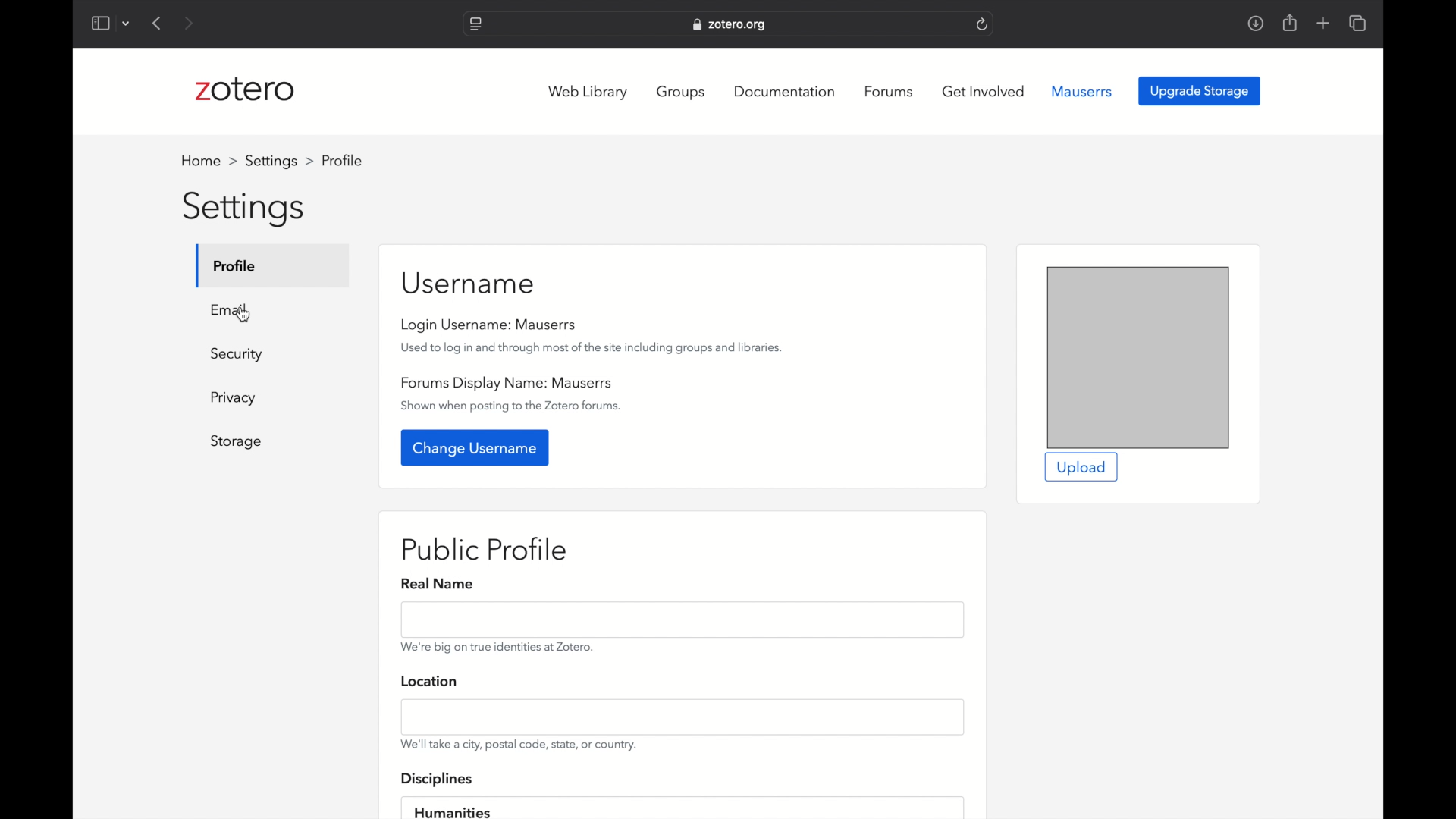 The width and height of the screenshot is (1456, 819). What do you see at coordinates (236, 355) in the screenshot?
I see `security` at bounding box center [236, 355].